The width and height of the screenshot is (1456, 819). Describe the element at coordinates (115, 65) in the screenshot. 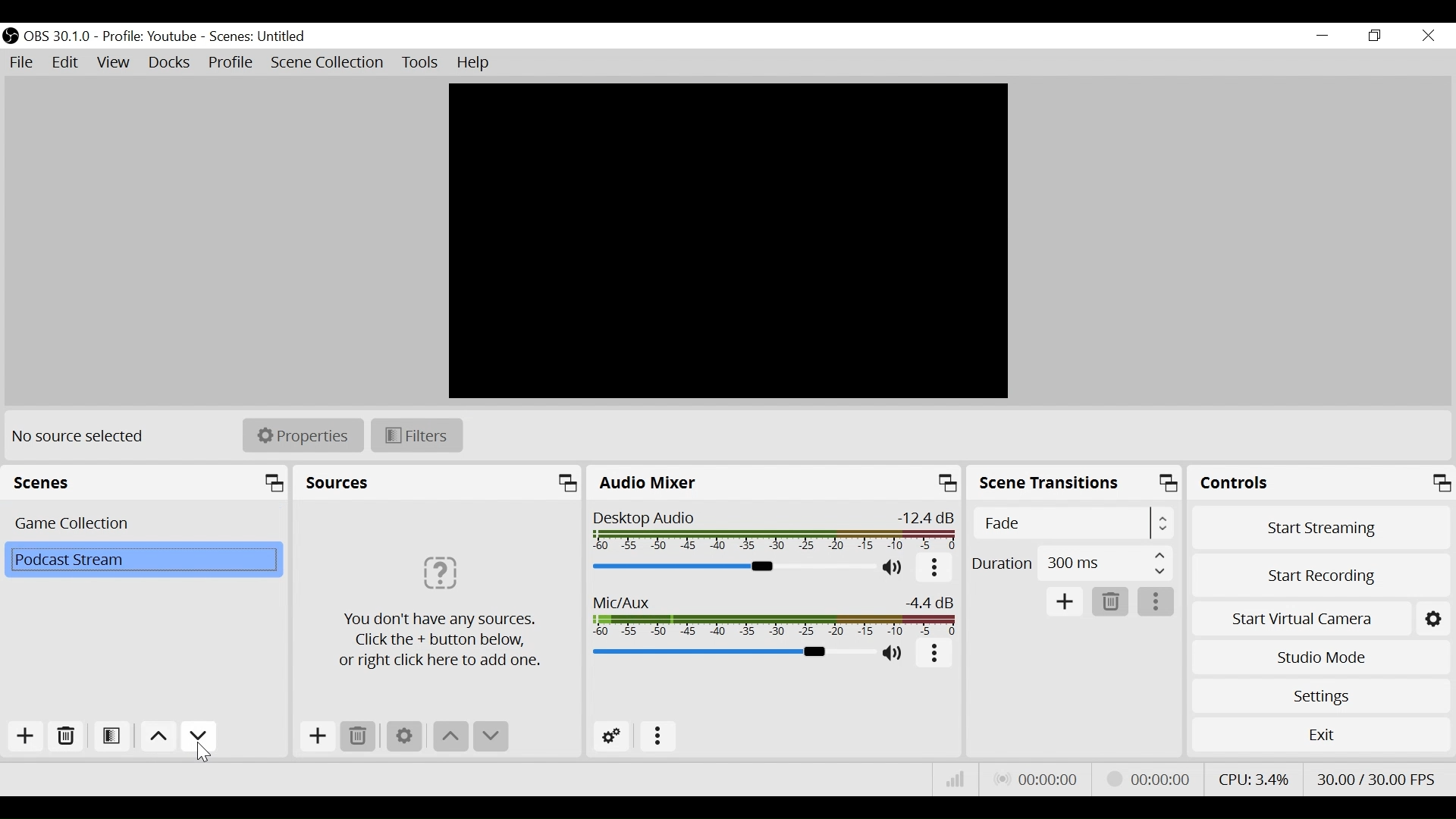

I see `View` at that location.